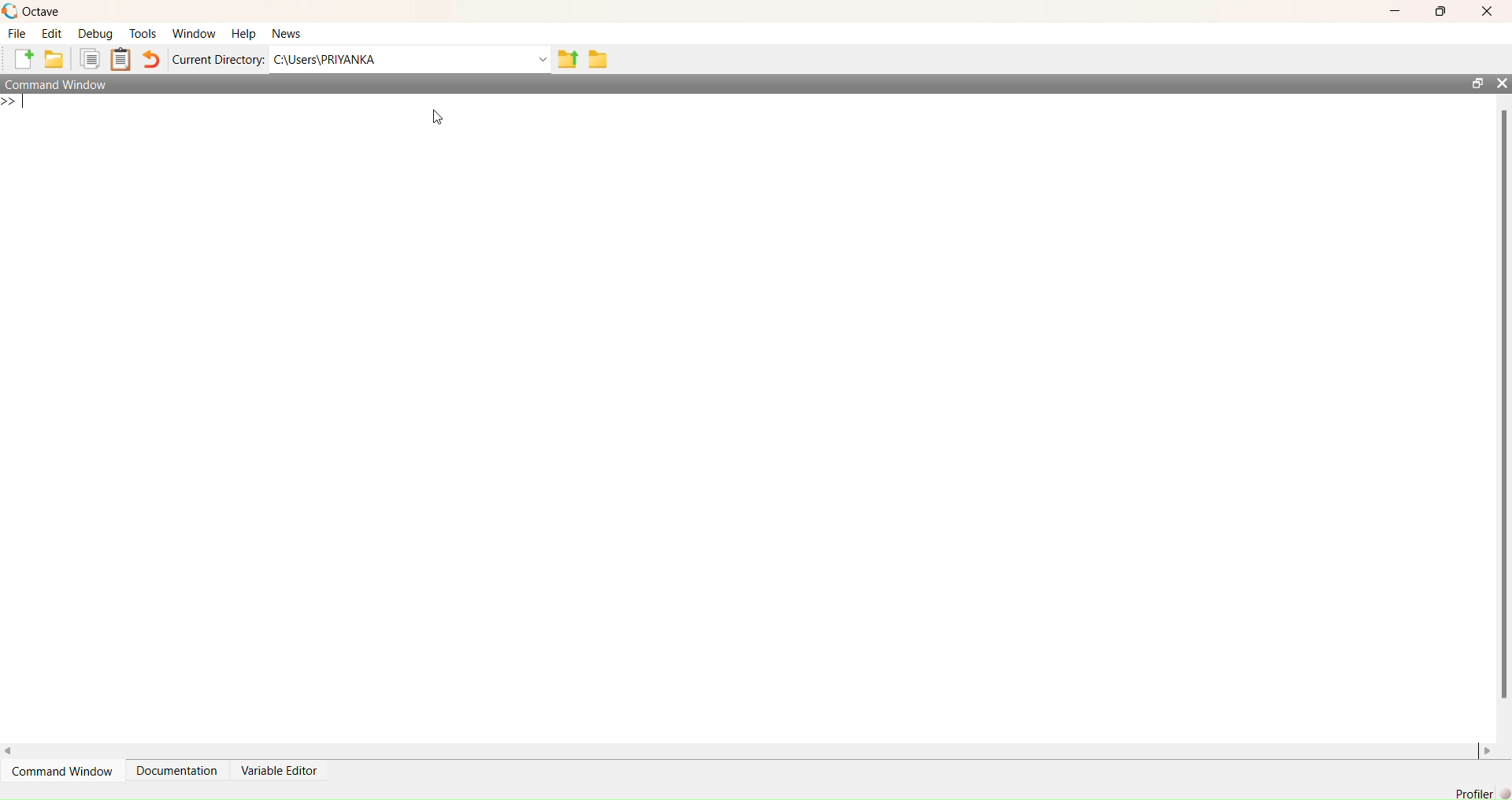 The height and width of the screenshot is (800, 1512). Describe the element at coordinates (52, 35) in the screenshot. I see `edit` at that location.